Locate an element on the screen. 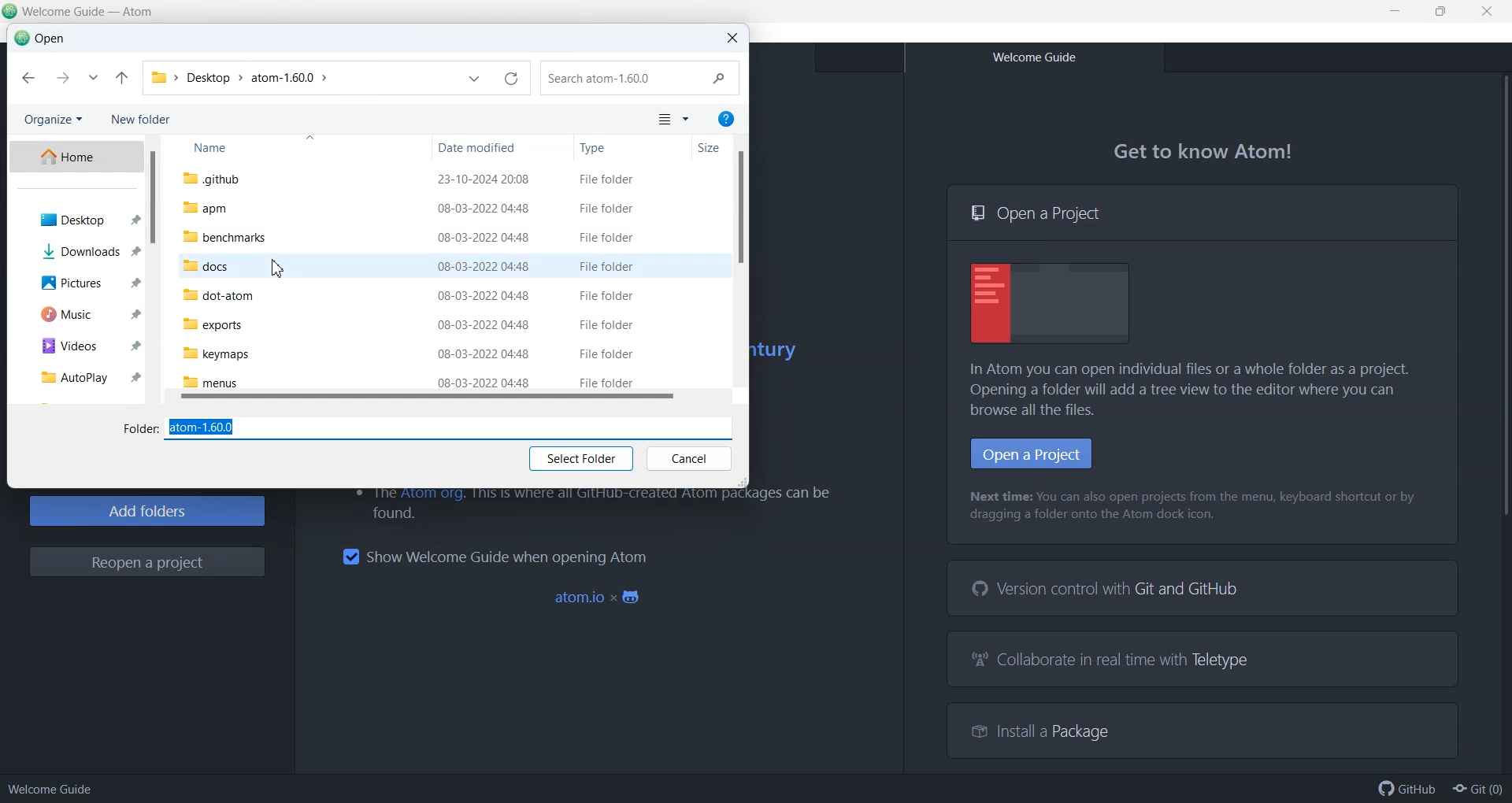  Welcome Guide is located at coordinates (1033, 57).